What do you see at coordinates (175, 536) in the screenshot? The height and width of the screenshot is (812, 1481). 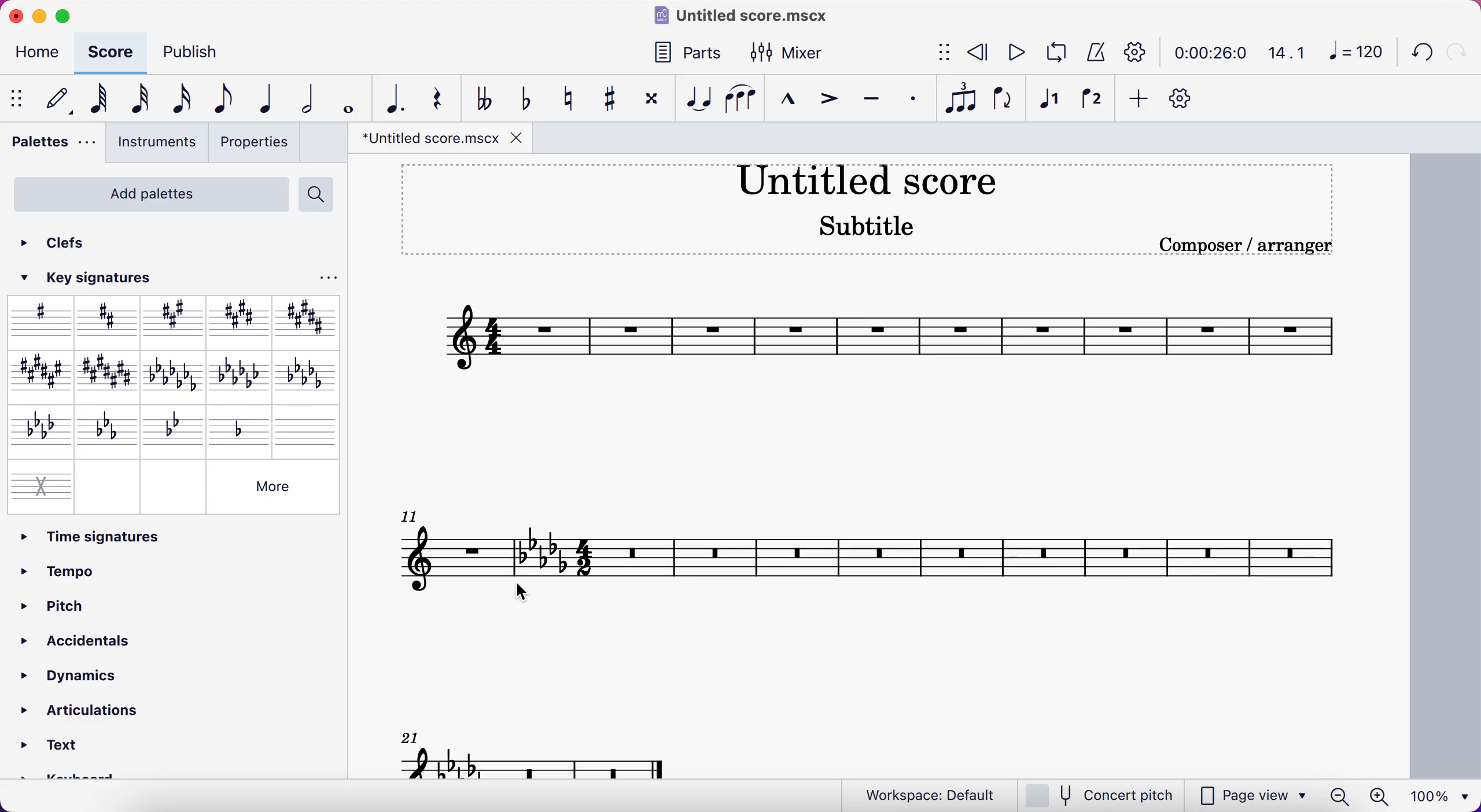 I see `time signatures` at bounding box center [175, 536].